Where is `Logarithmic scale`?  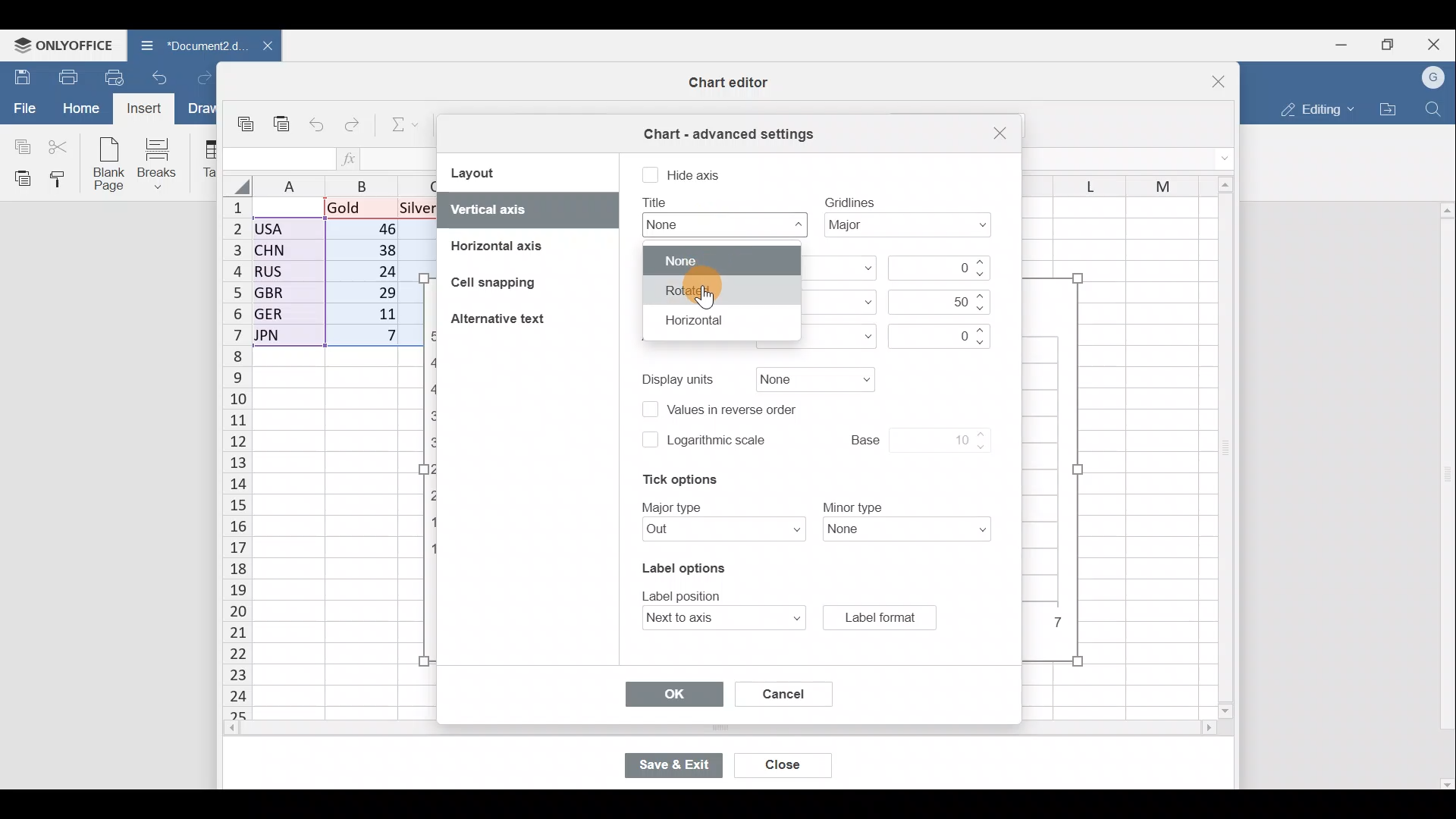 Logarithmic scale is located at coordinates (717, 444).